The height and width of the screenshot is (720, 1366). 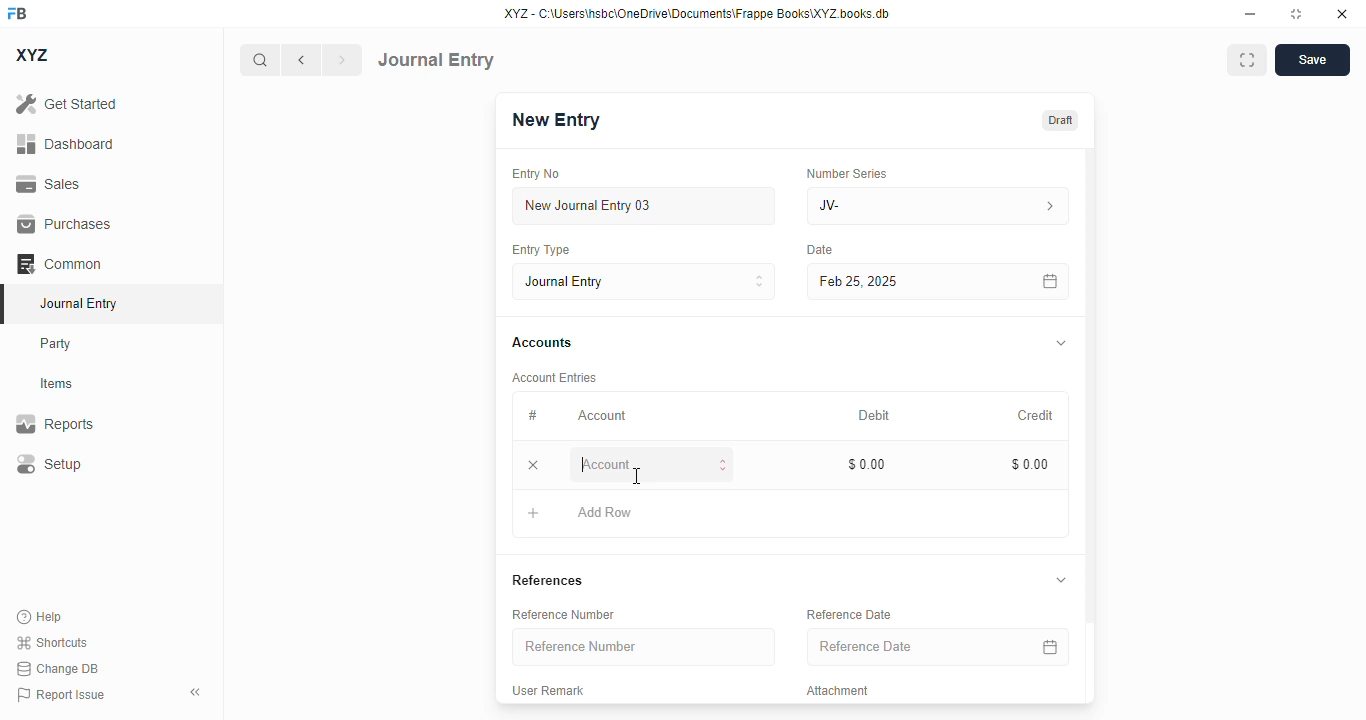 I want to click on search, so click(x=259, y=60).